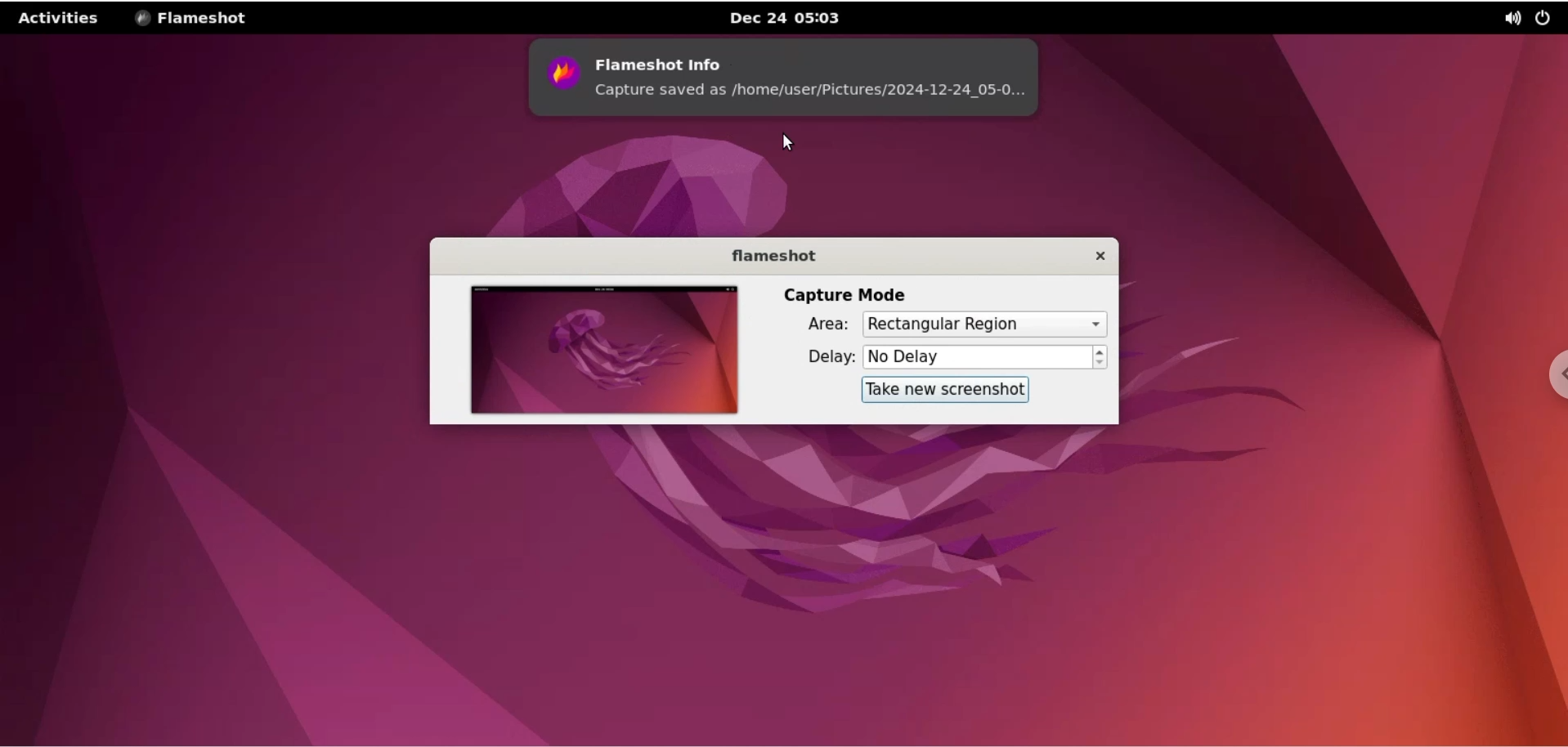  Describe the element at coordinates (1512, 18) in the screenshot. I see `sound options` at that location.